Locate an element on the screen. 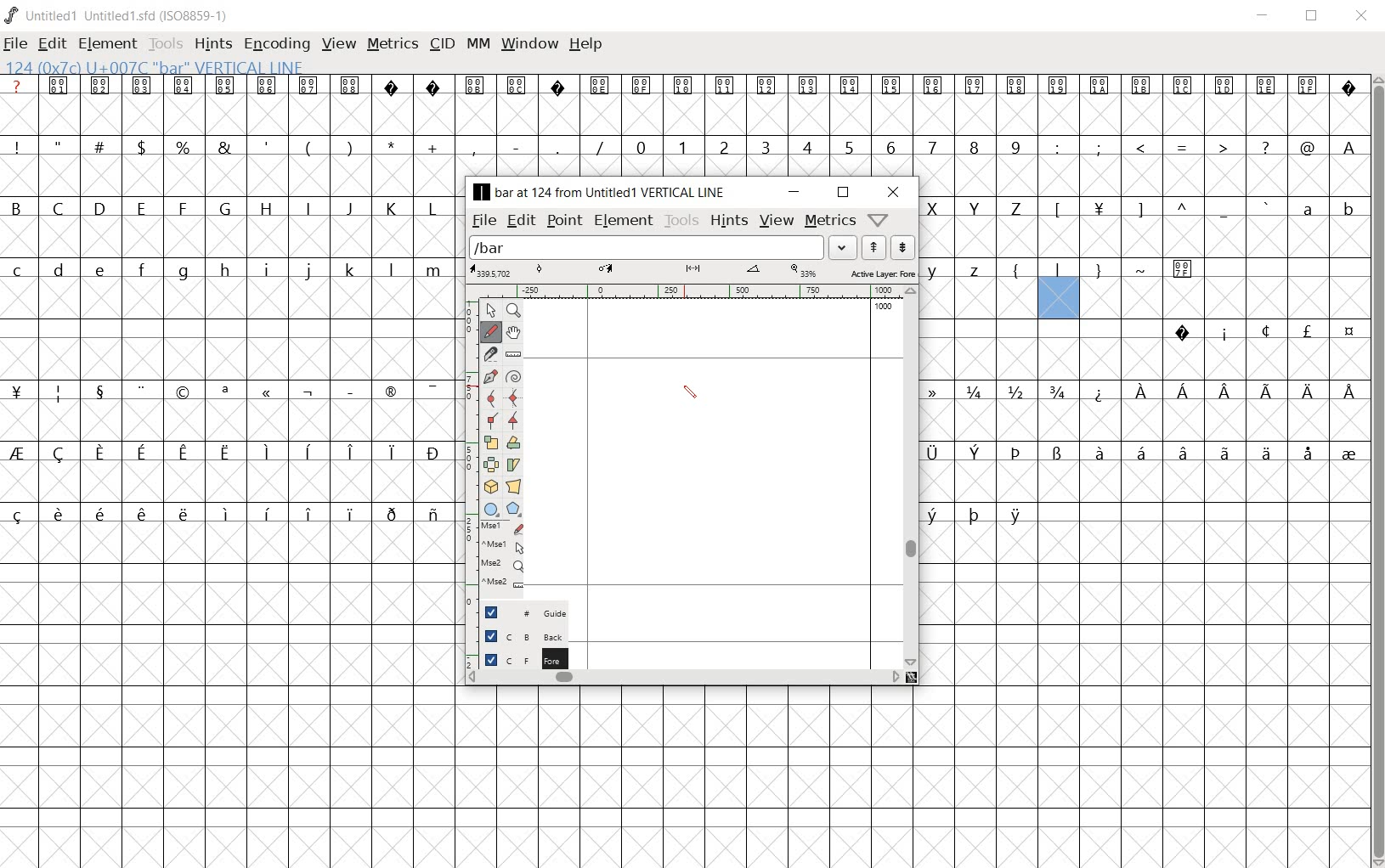 Image resolution: width=1385 pixels, height=868 pixels. rectangle or ellipse is located at coordinates (489, 509).